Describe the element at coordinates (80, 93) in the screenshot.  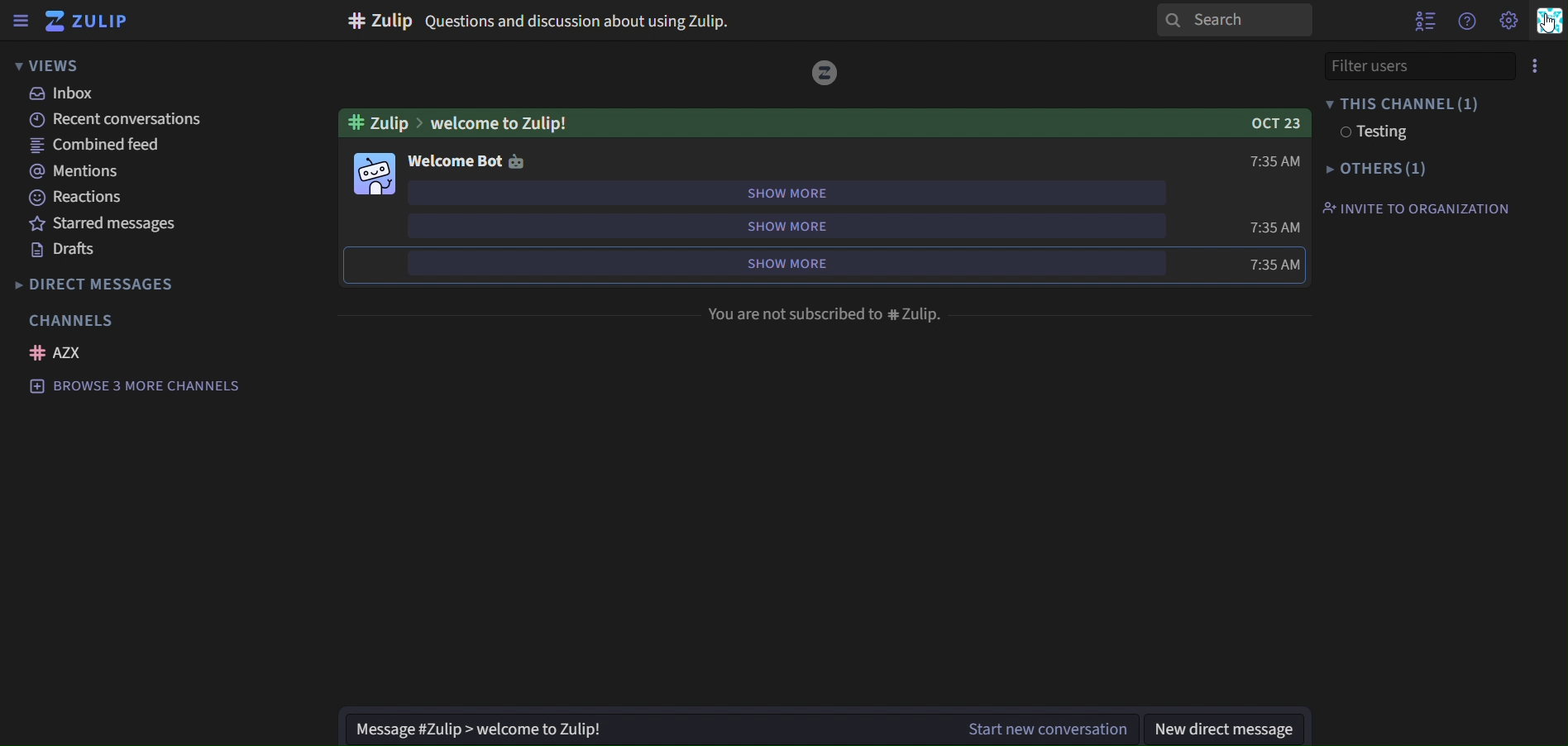
I see `inbox` at that location.